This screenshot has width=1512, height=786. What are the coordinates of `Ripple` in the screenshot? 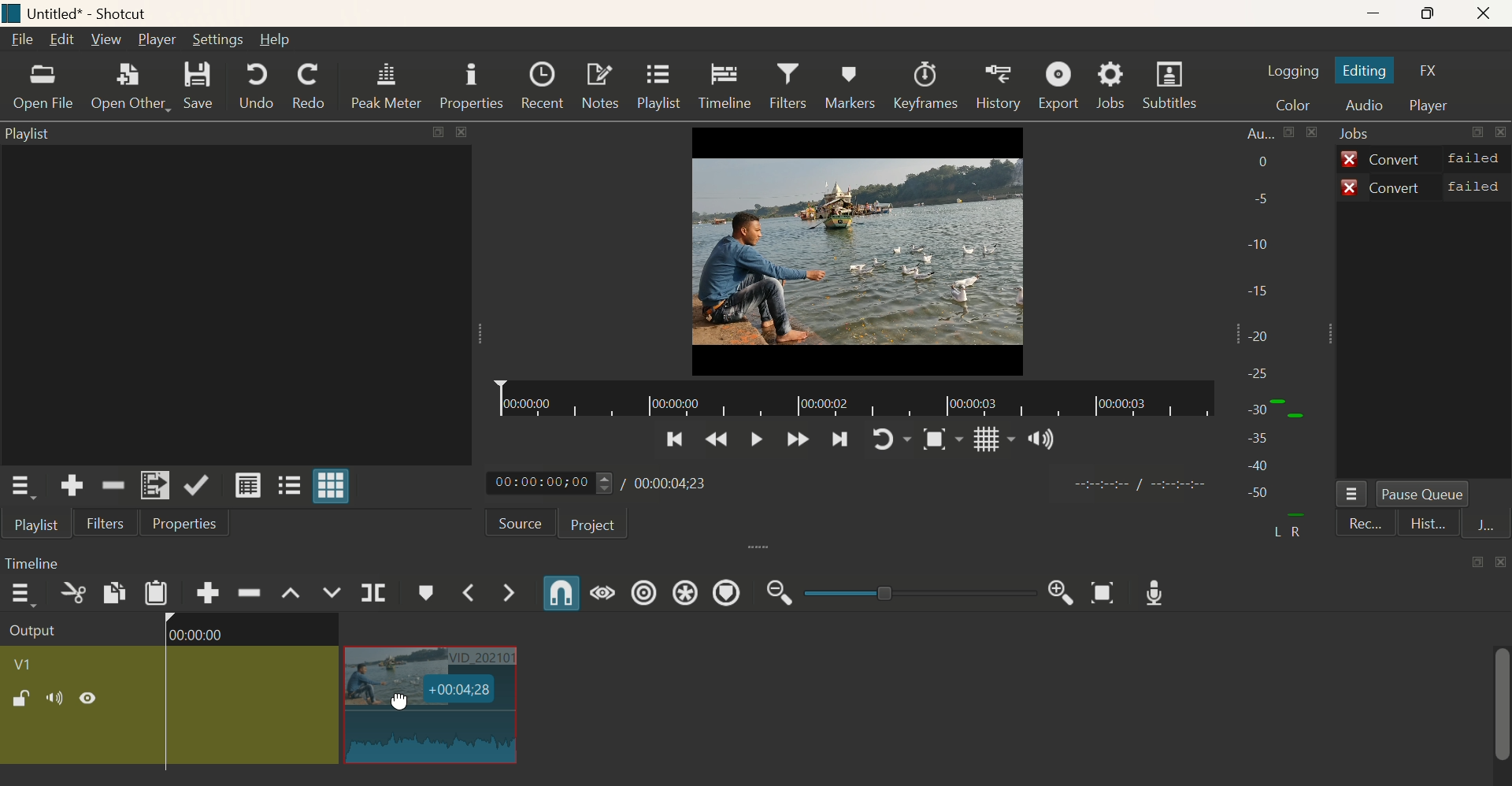 It's located at (250, 593).